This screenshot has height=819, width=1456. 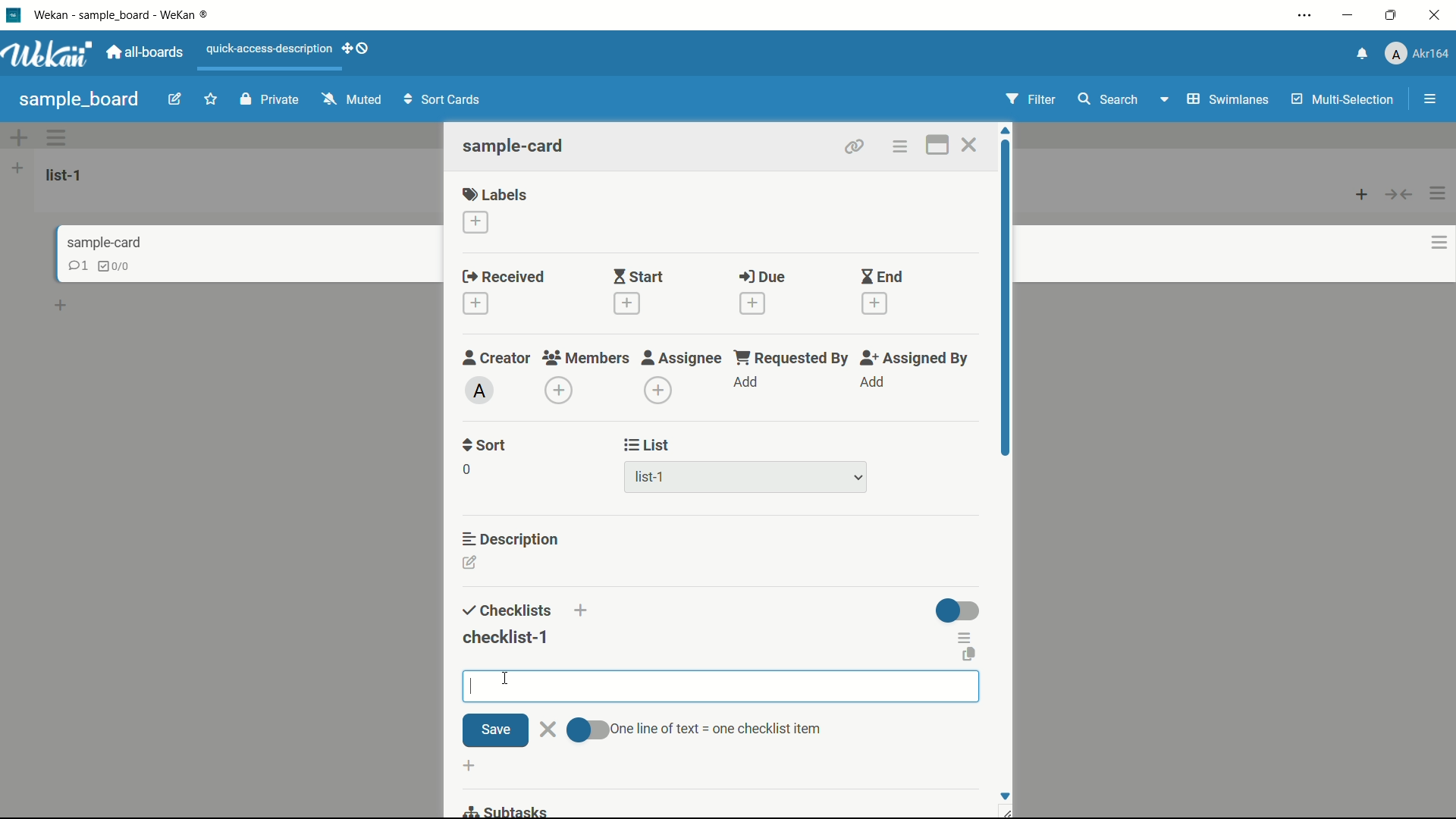 What do you see at coordinates (548, 730) in the screenshot?
I see `close` at bounding box center [548, 730].